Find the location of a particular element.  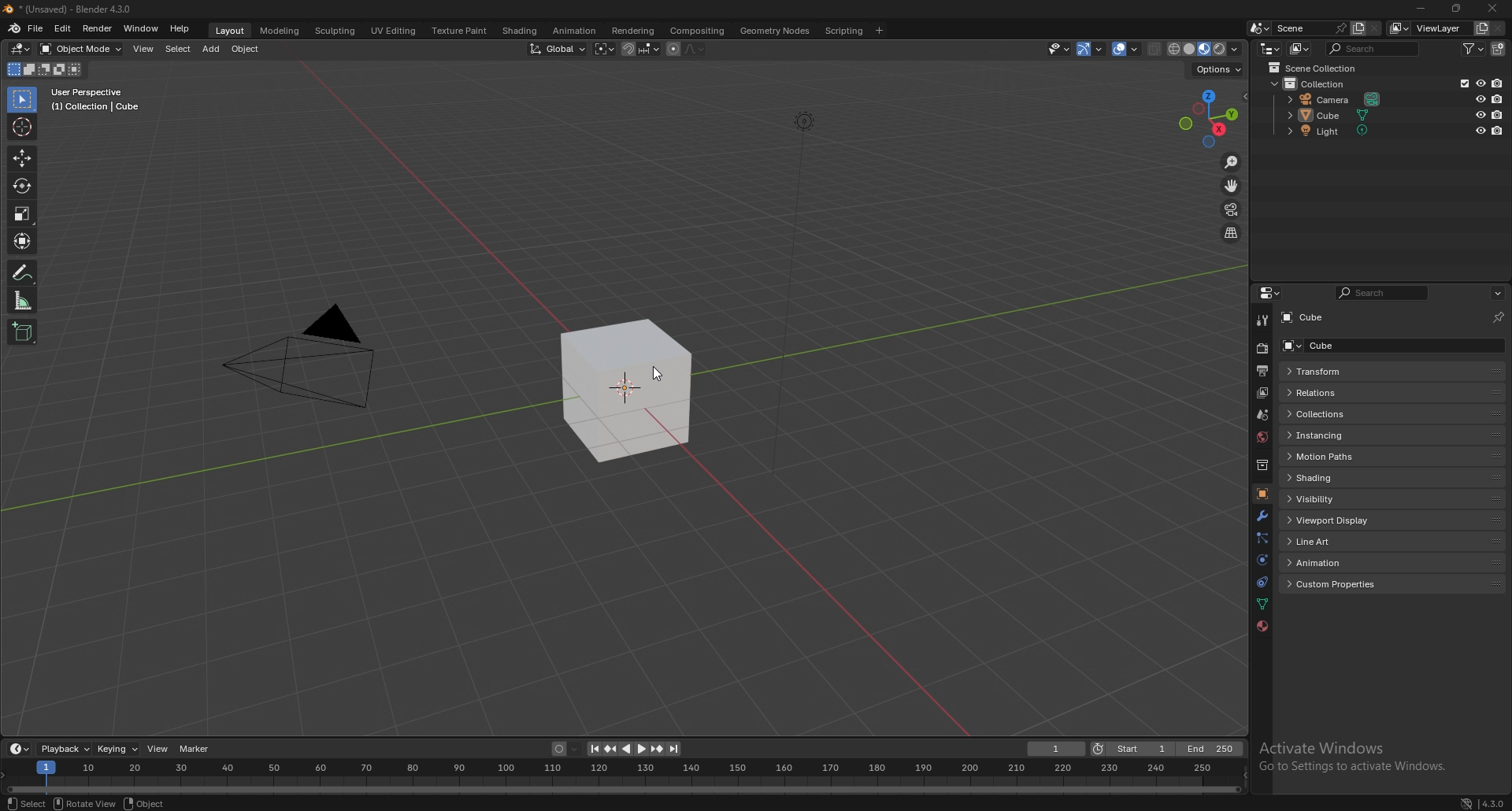

compositing is located at coordinates (699, 31).